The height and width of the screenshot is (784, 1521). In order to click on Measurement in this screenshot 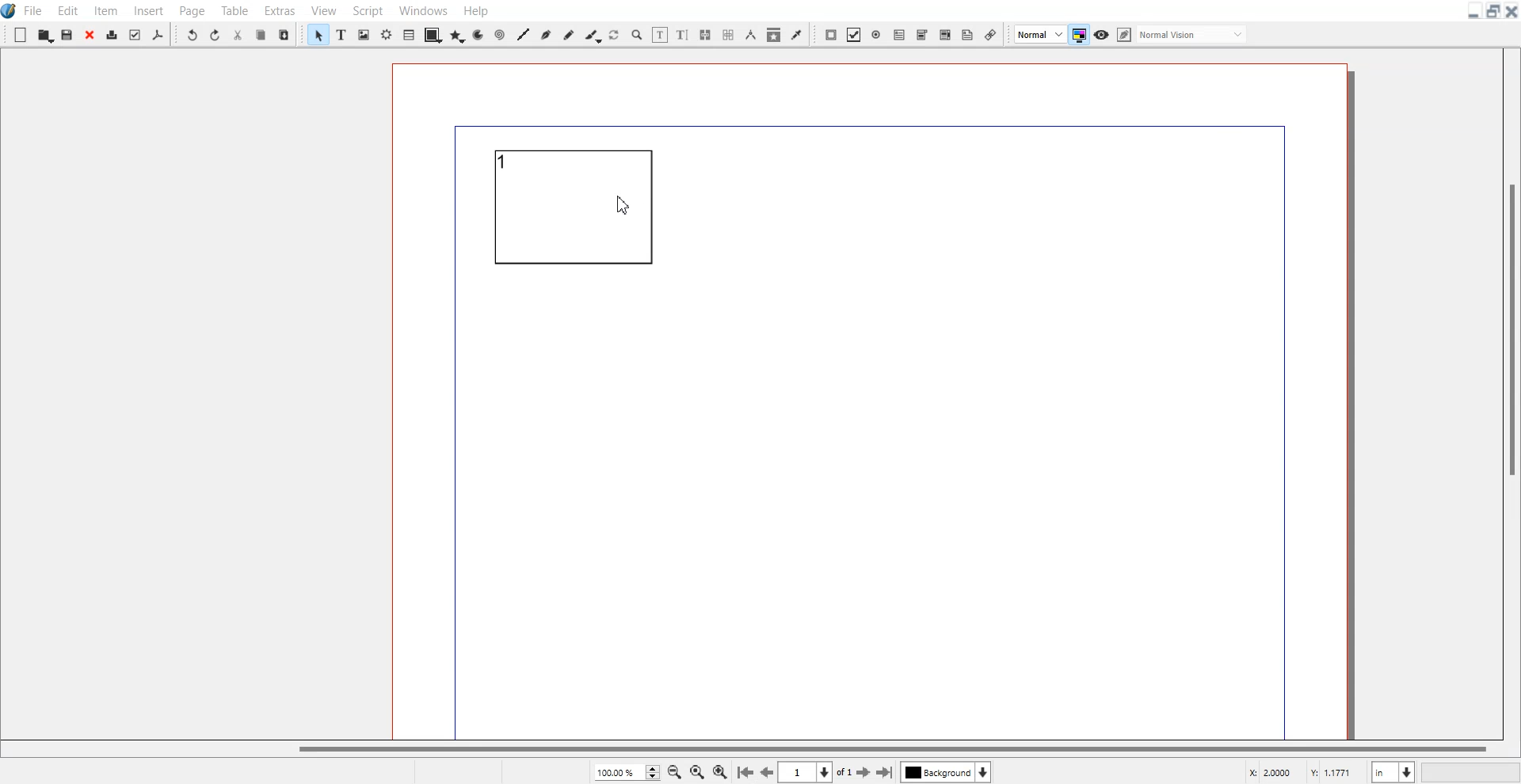, I will do `click(750, 35)`.